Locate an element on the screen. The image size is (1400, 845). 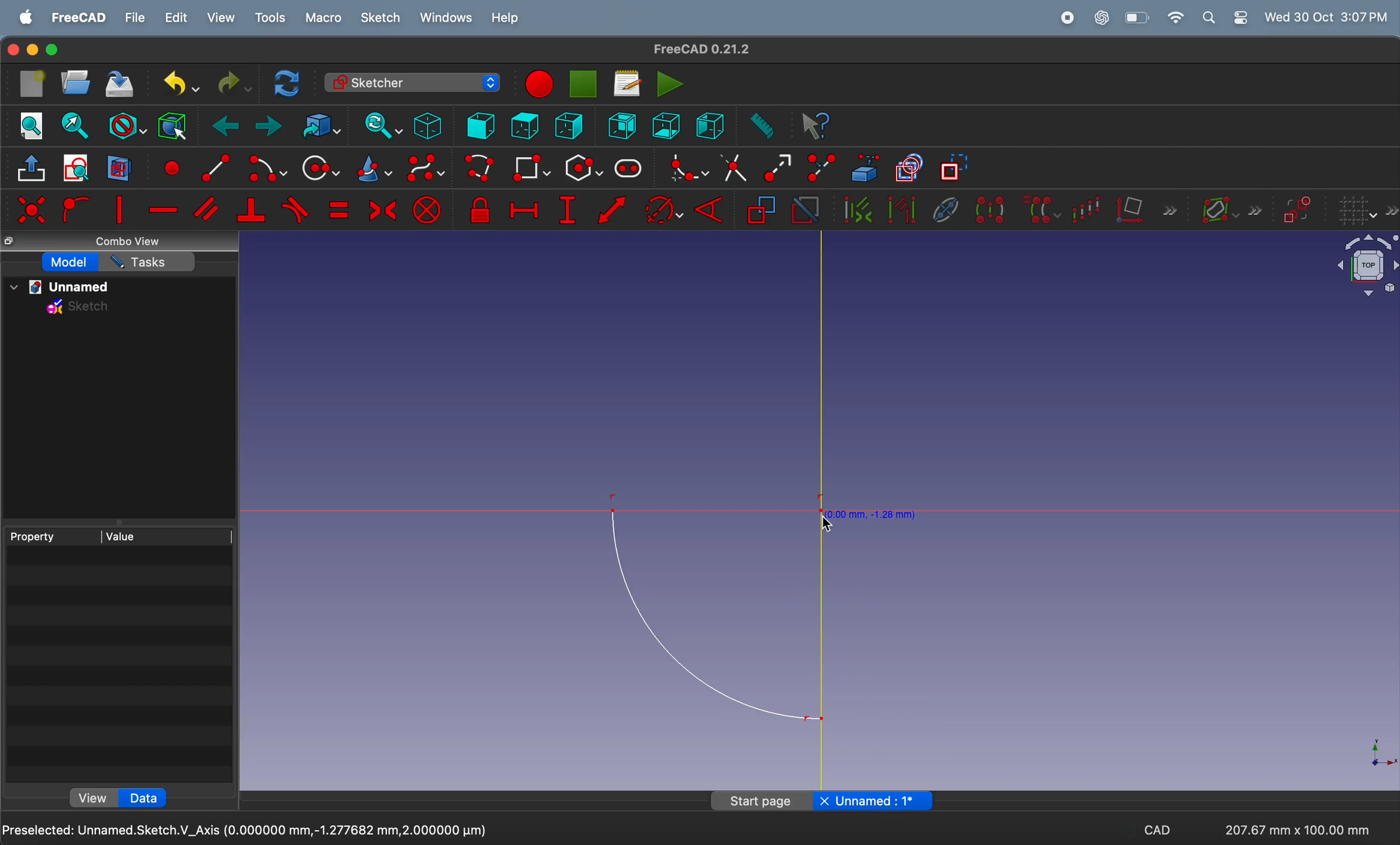
create ploy line is located at coordinates (481, 169).